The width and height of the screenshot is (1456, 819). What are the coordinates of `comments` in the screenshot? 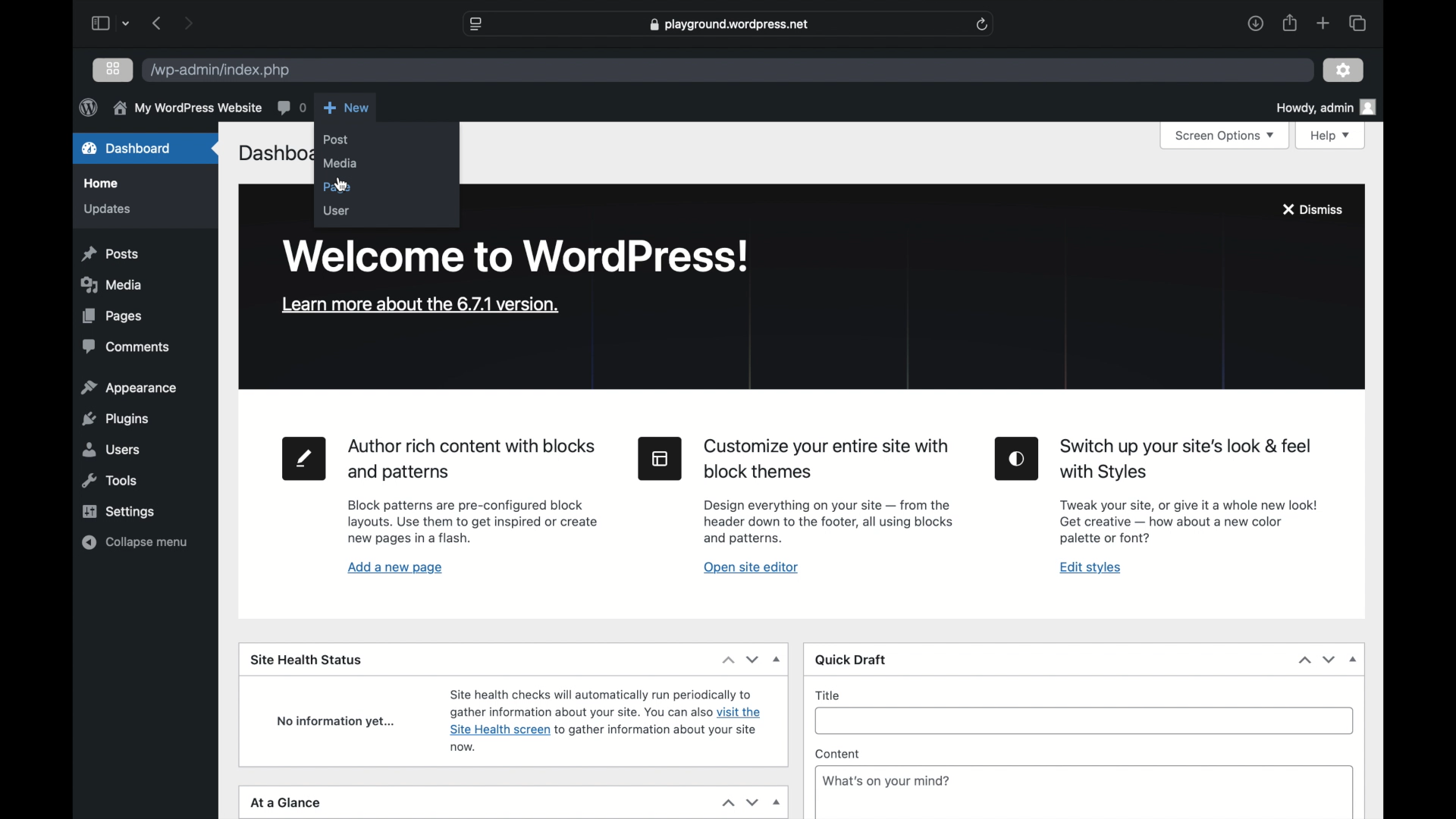 It's located at (127, 347).